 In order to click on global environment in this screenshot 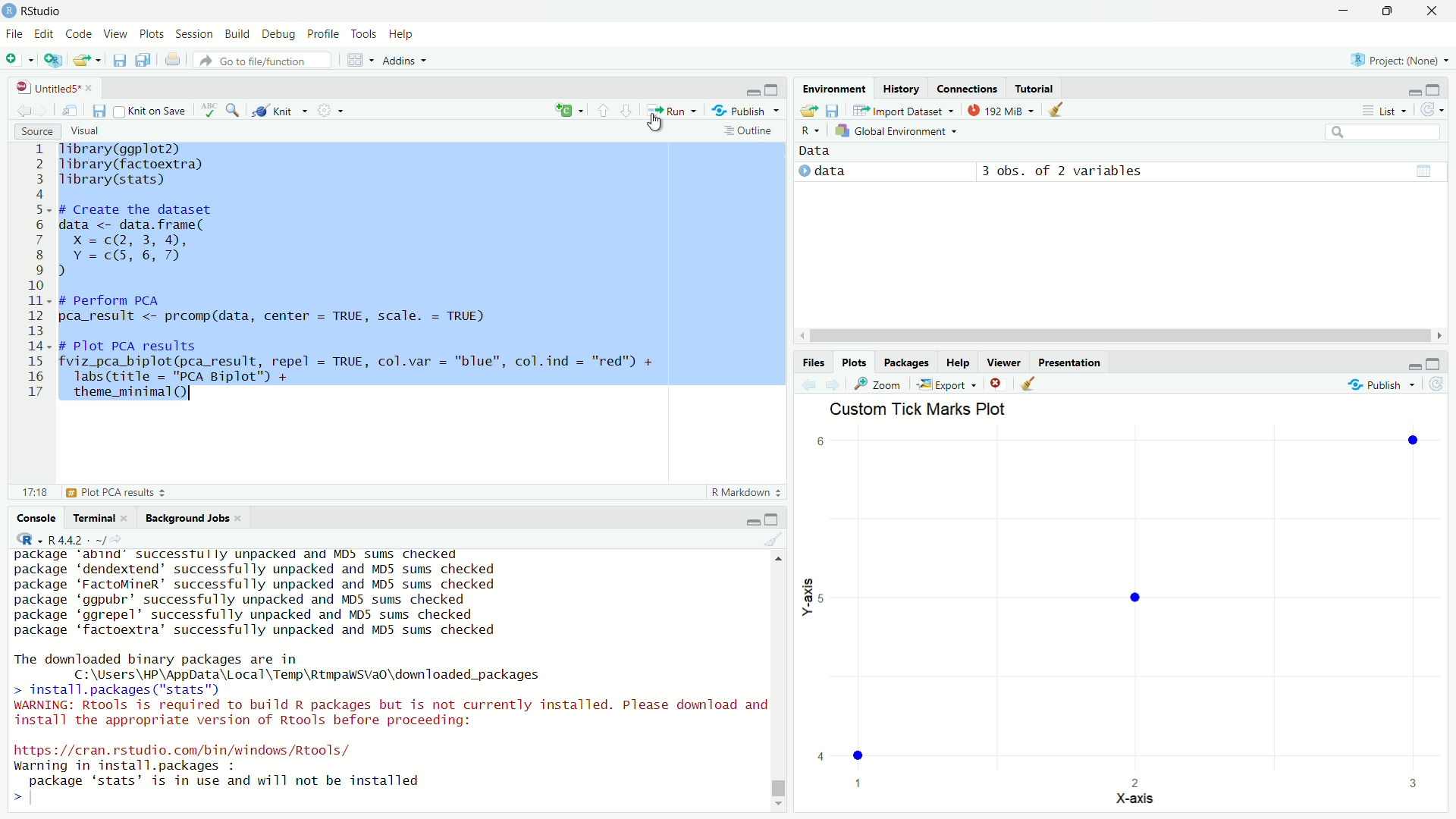, I will do `click(899, 131)`.